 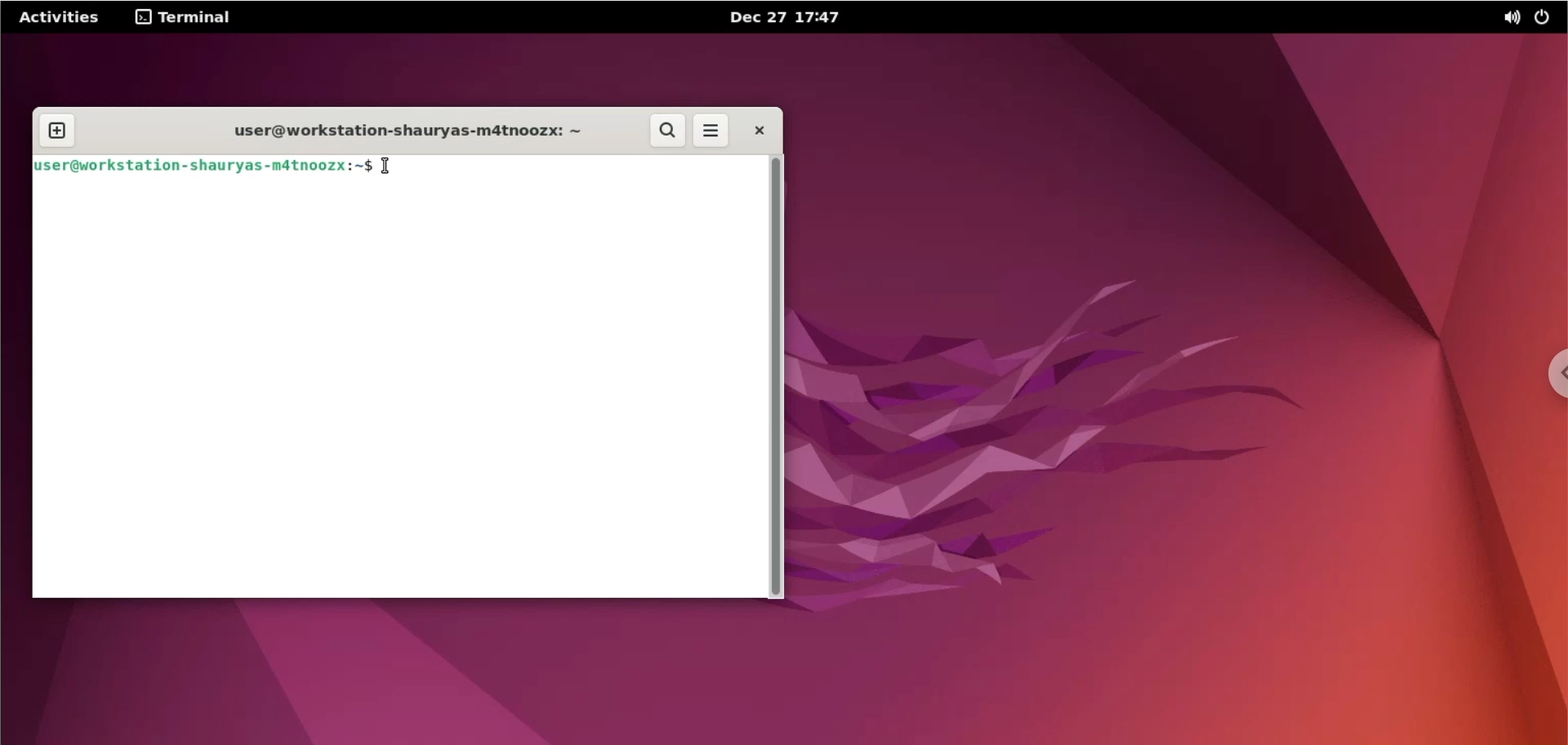 I want to click on scrollbar, so click(x=778, y=377).